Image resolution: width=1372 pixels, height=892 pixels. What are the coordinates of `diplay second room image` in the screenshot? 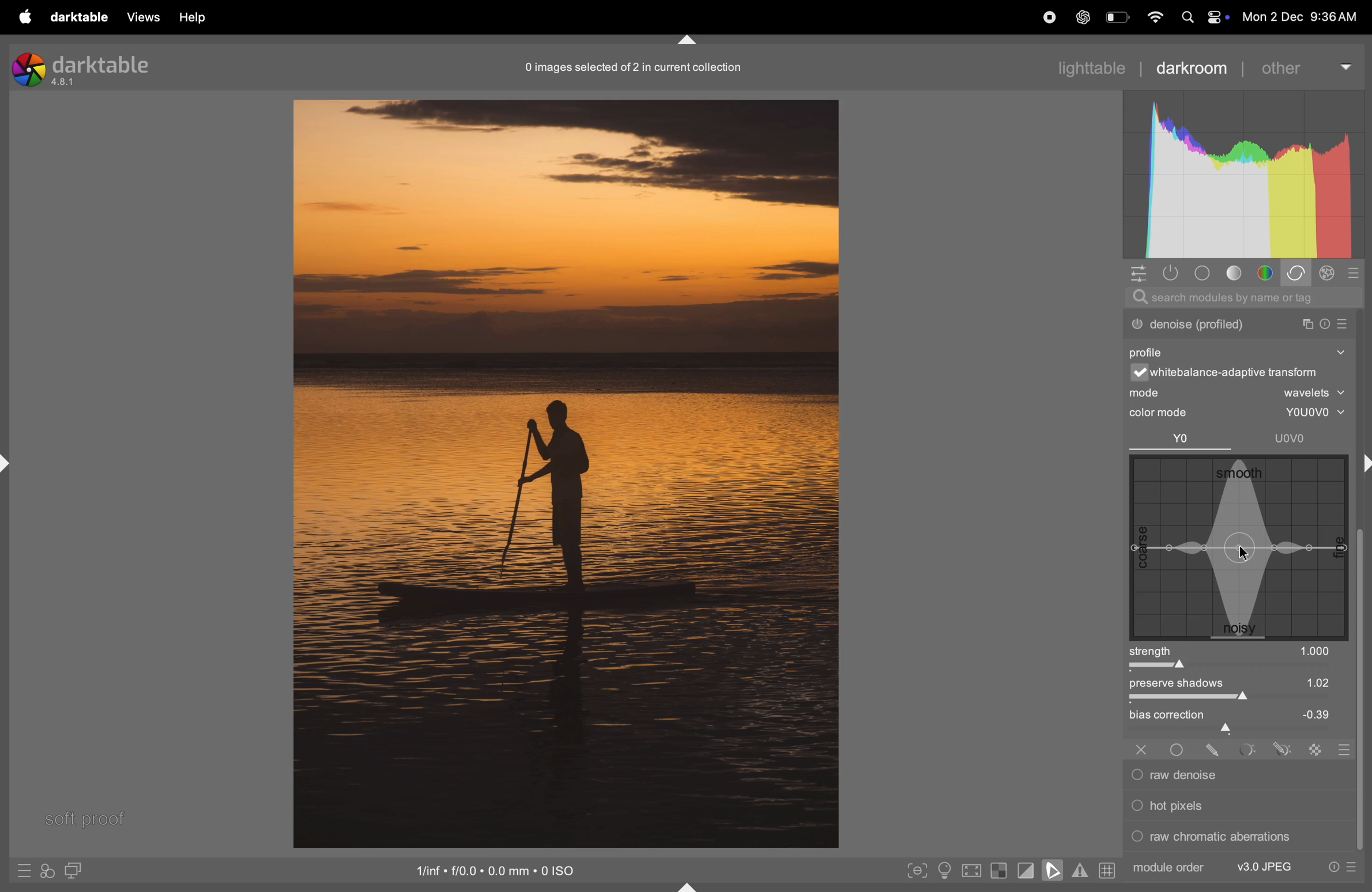 It's located at (78, 872).